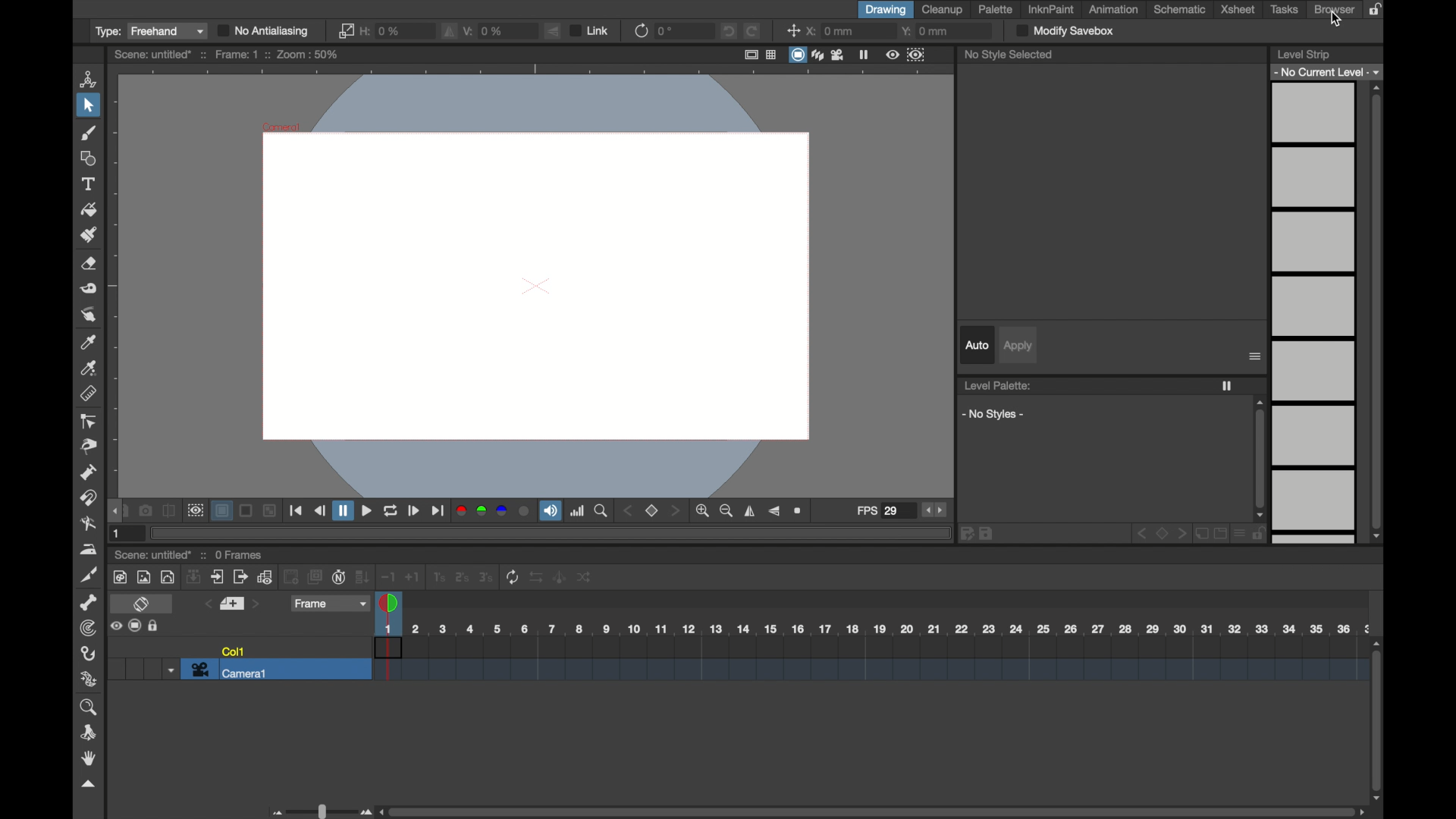  I want to click on more tools, so click(352, 576).